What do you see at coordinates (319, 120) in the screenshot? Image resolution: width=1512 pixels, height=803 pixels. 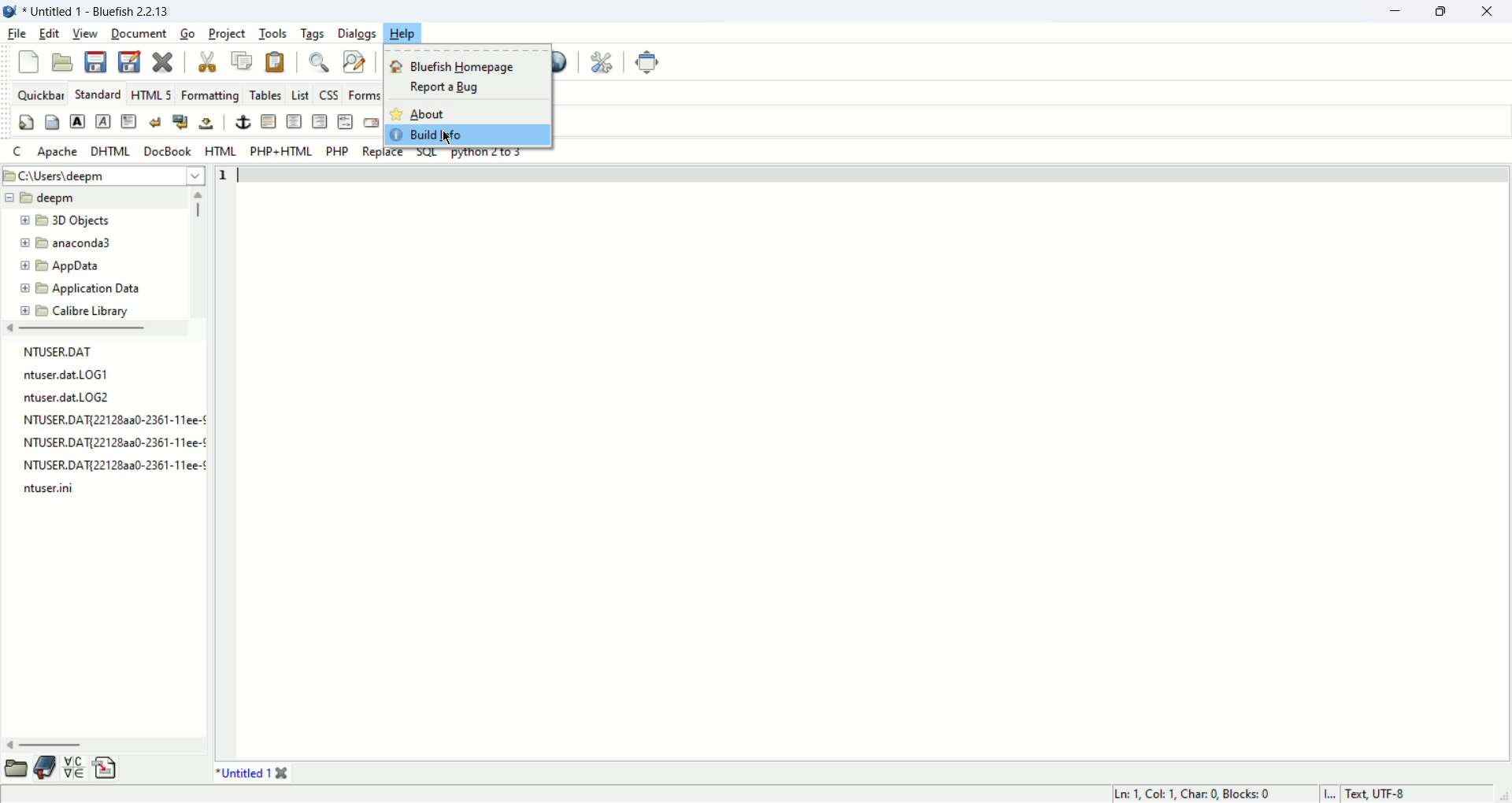 I see `right justify` at bounding box center [319, 120].